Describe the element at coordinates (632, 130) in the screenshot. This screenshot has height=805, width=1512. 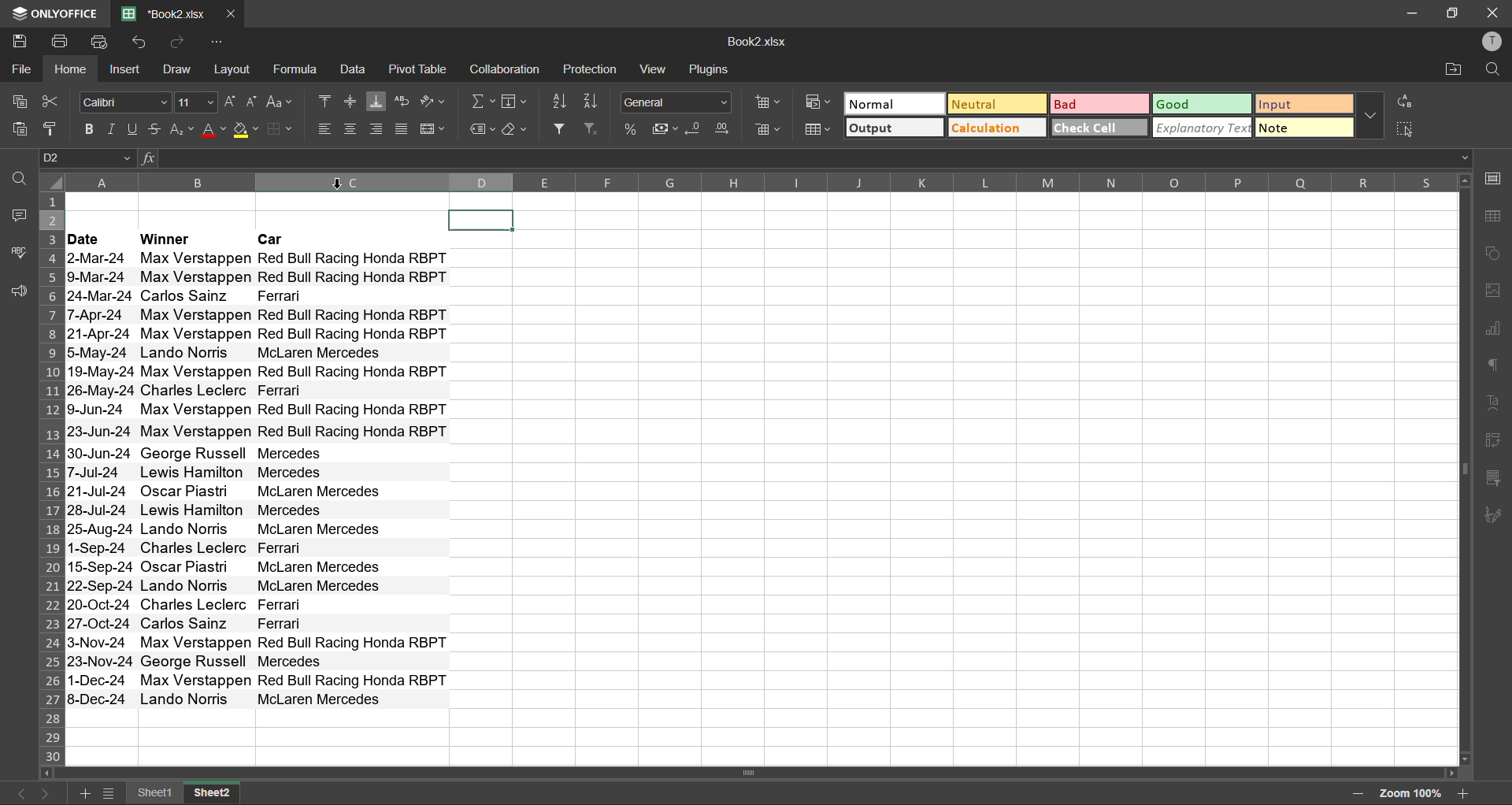
I see `percent` at that location.